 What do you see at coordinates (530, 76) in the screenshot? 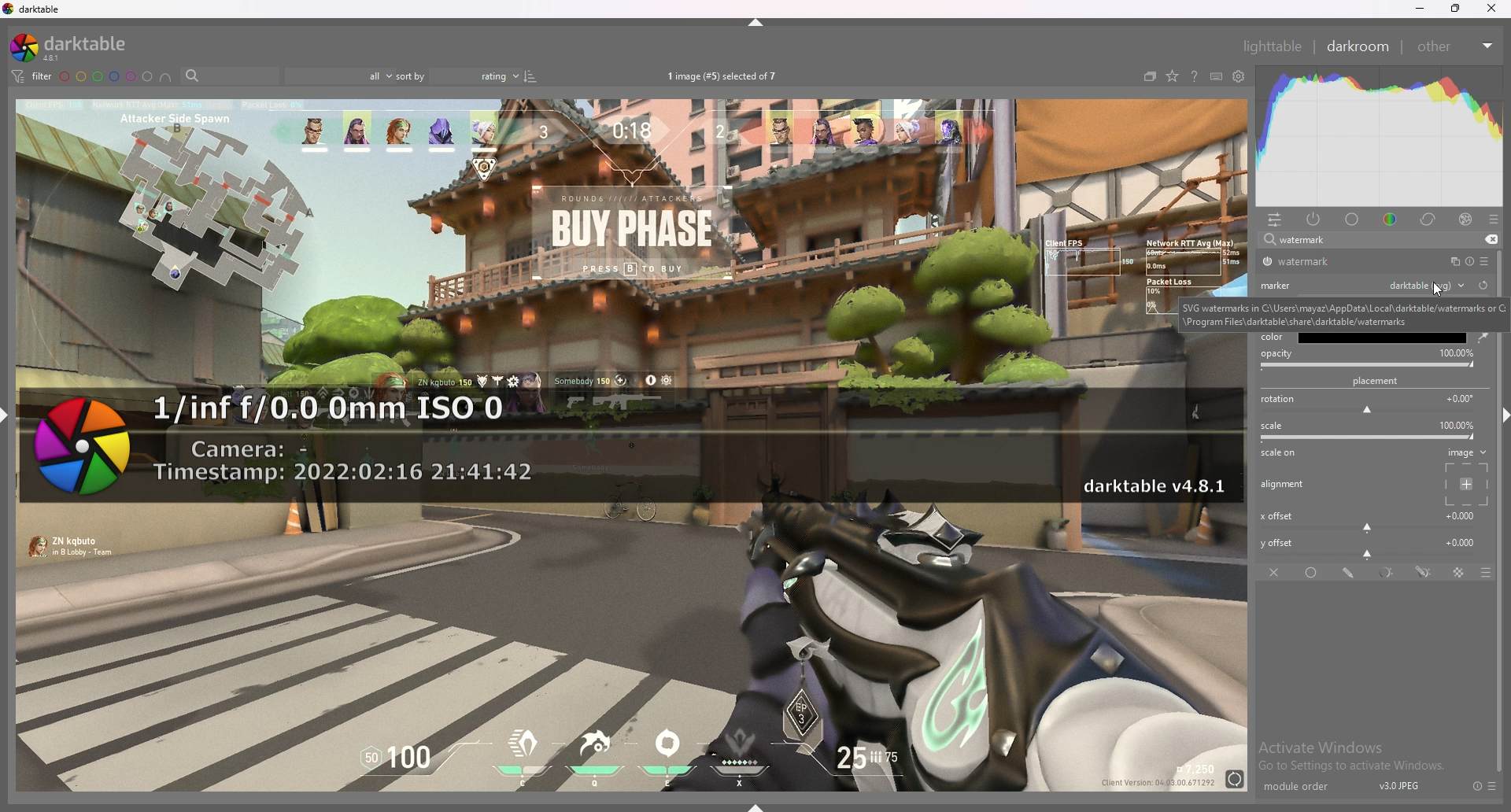
I see `reverse sort` at bounding box center [530, 76].